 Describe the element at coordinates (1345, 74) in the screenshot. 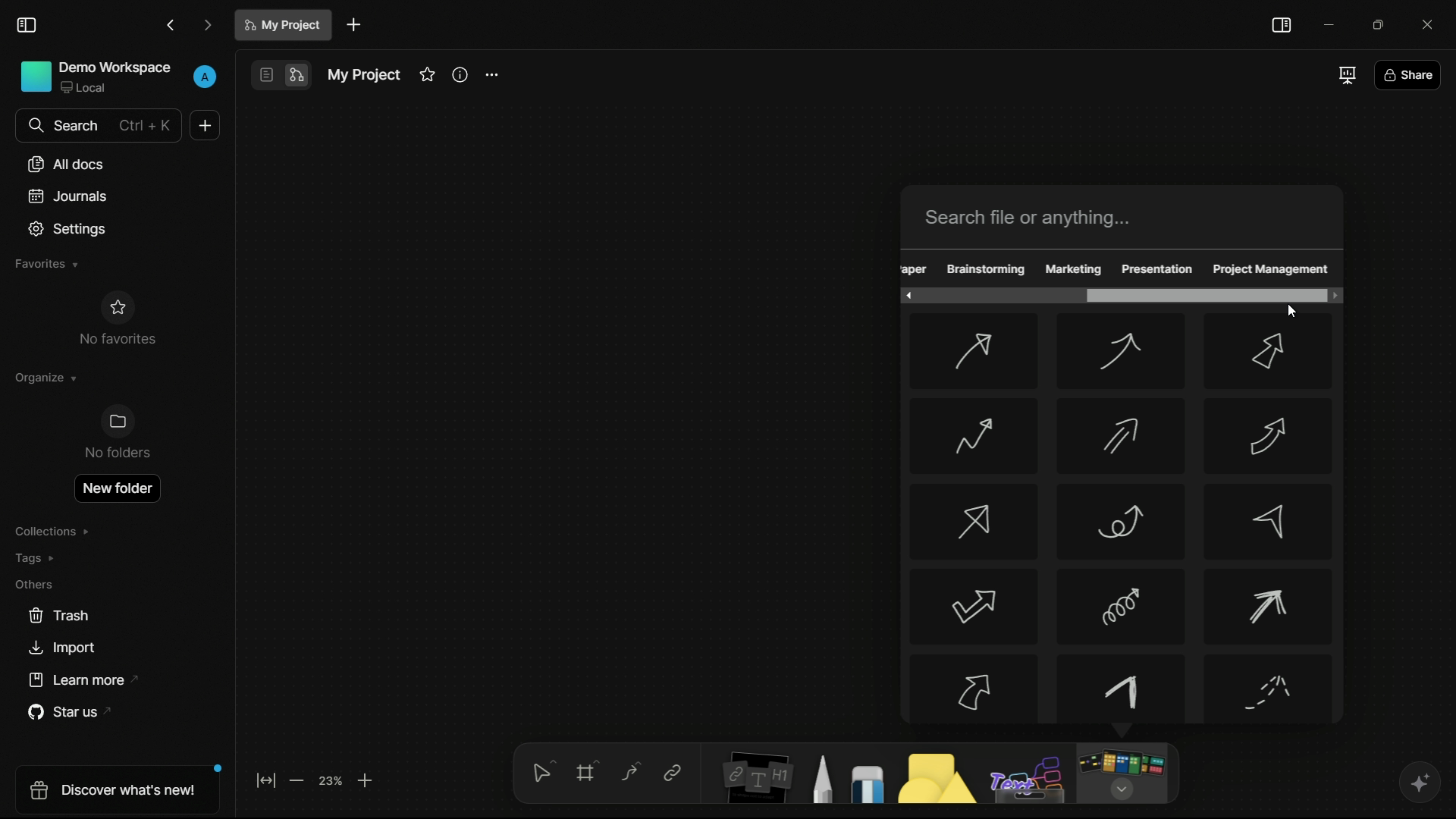

I see `full screen` at that location.